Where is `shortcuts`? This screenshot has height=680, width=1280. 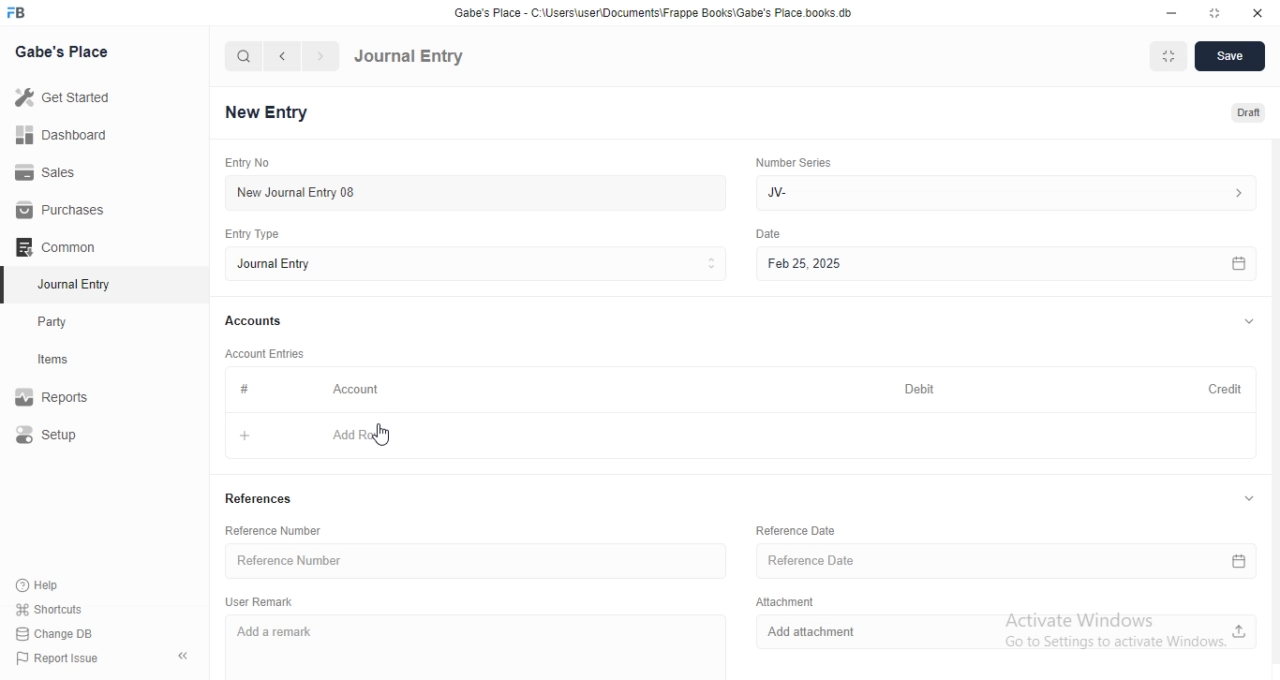 shortcuts is located at coordinates (62, 608).